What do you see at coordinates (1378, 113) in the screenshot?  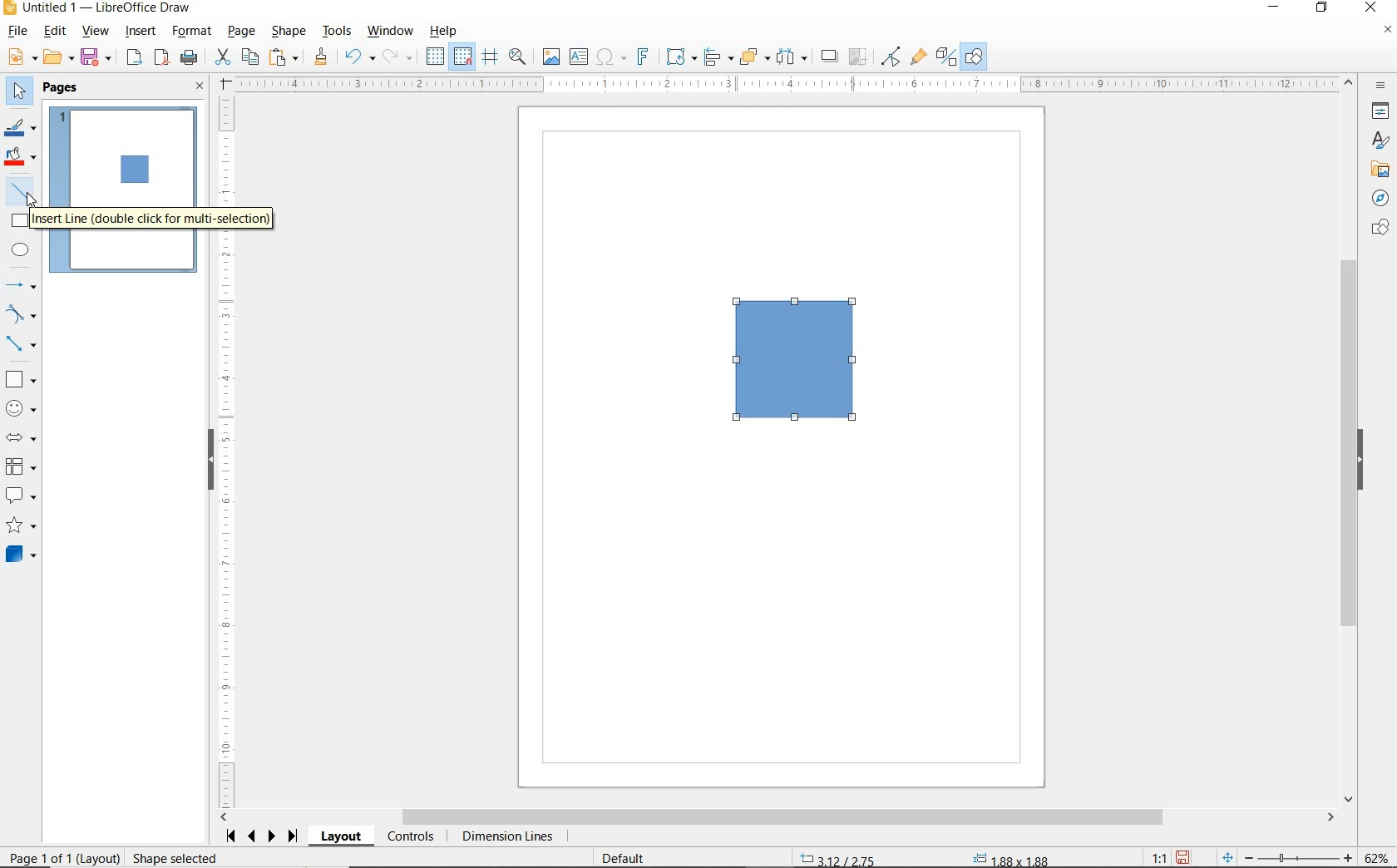 I see `PROPERTIES` at bounding box center [1378, 113].